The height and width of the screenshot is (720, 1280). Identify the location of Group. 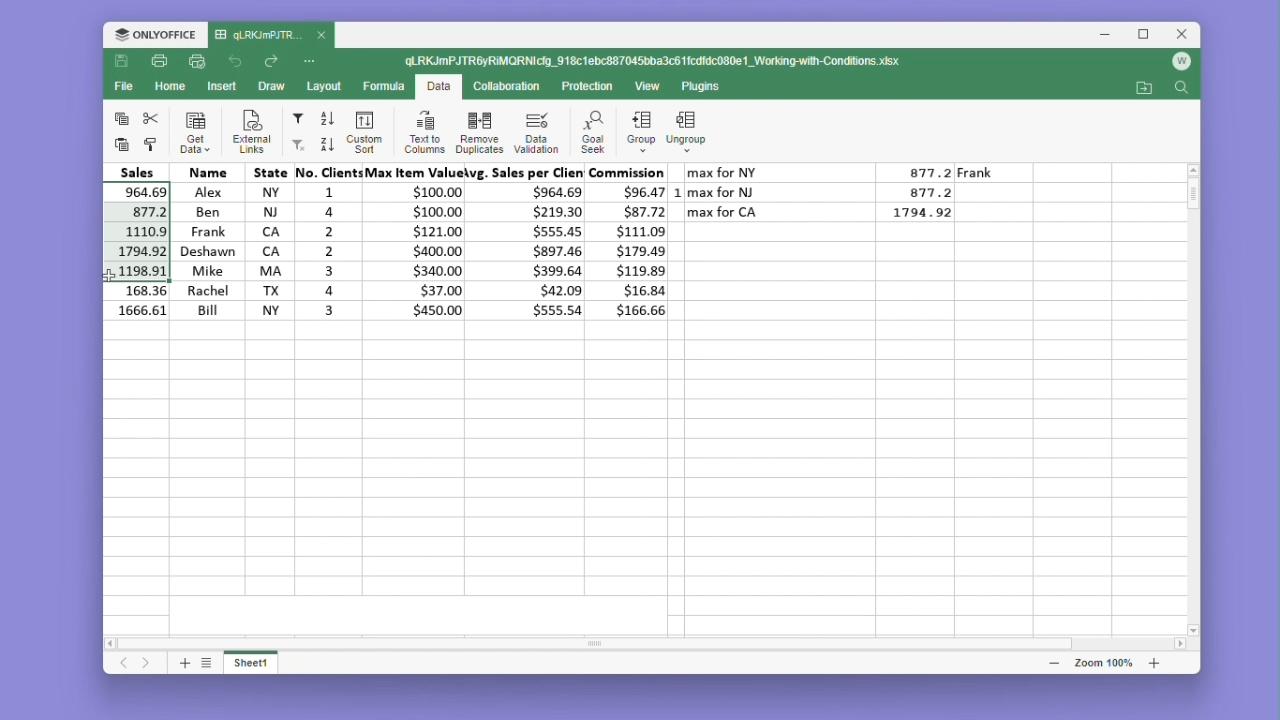
(640, 132).